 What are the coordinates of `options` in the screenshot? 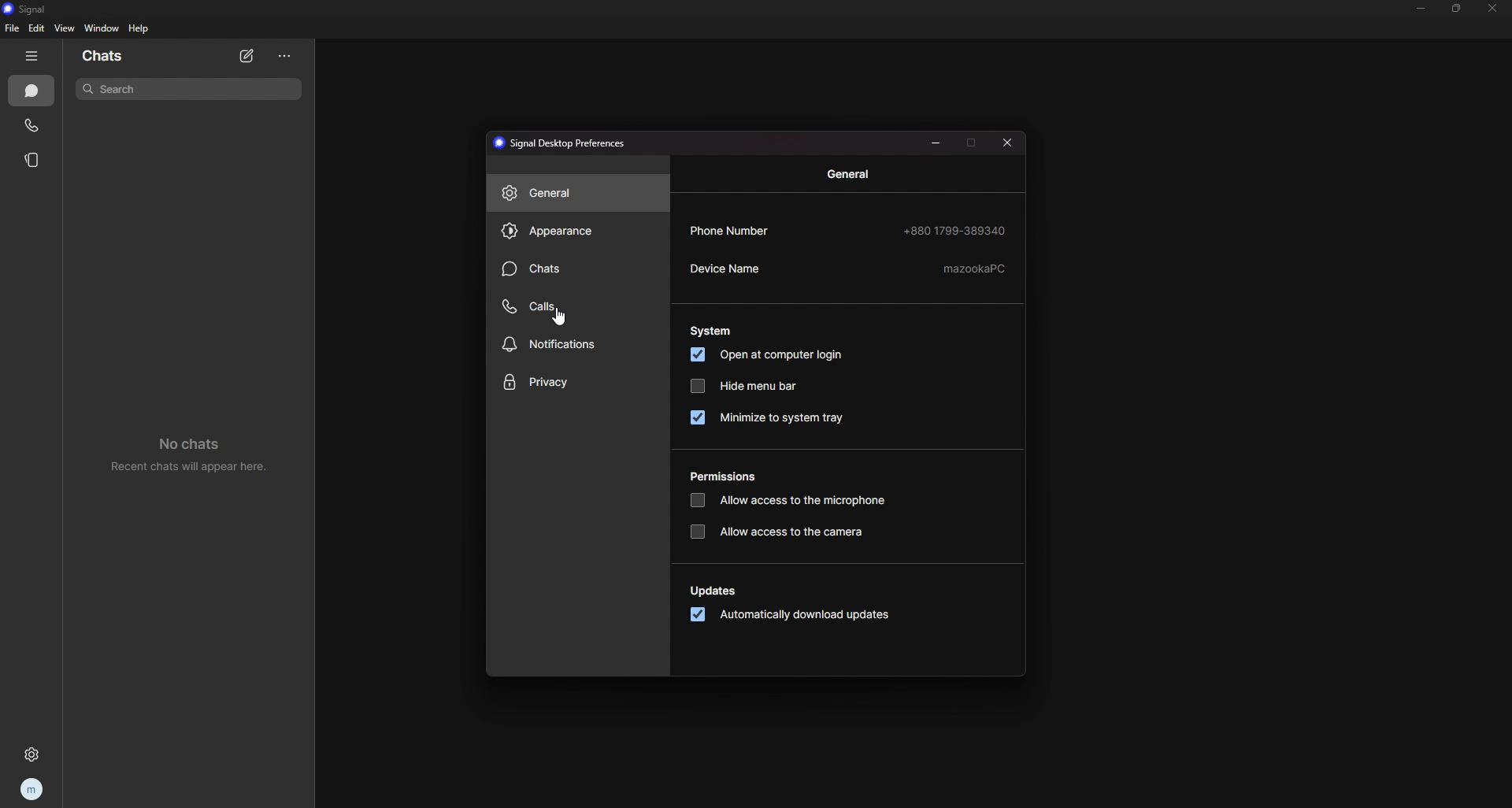 It's located at (286, 57).